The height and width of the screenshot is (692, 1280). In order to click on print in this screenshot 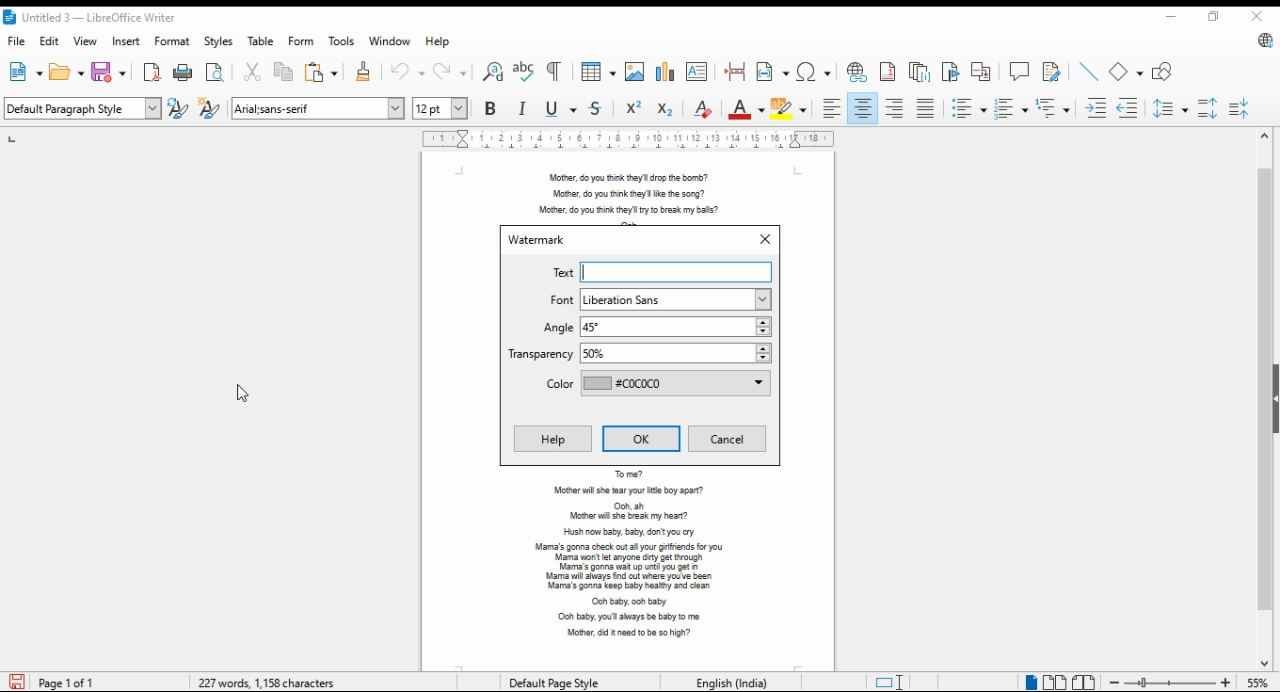, I will do `click(185, 72)`.